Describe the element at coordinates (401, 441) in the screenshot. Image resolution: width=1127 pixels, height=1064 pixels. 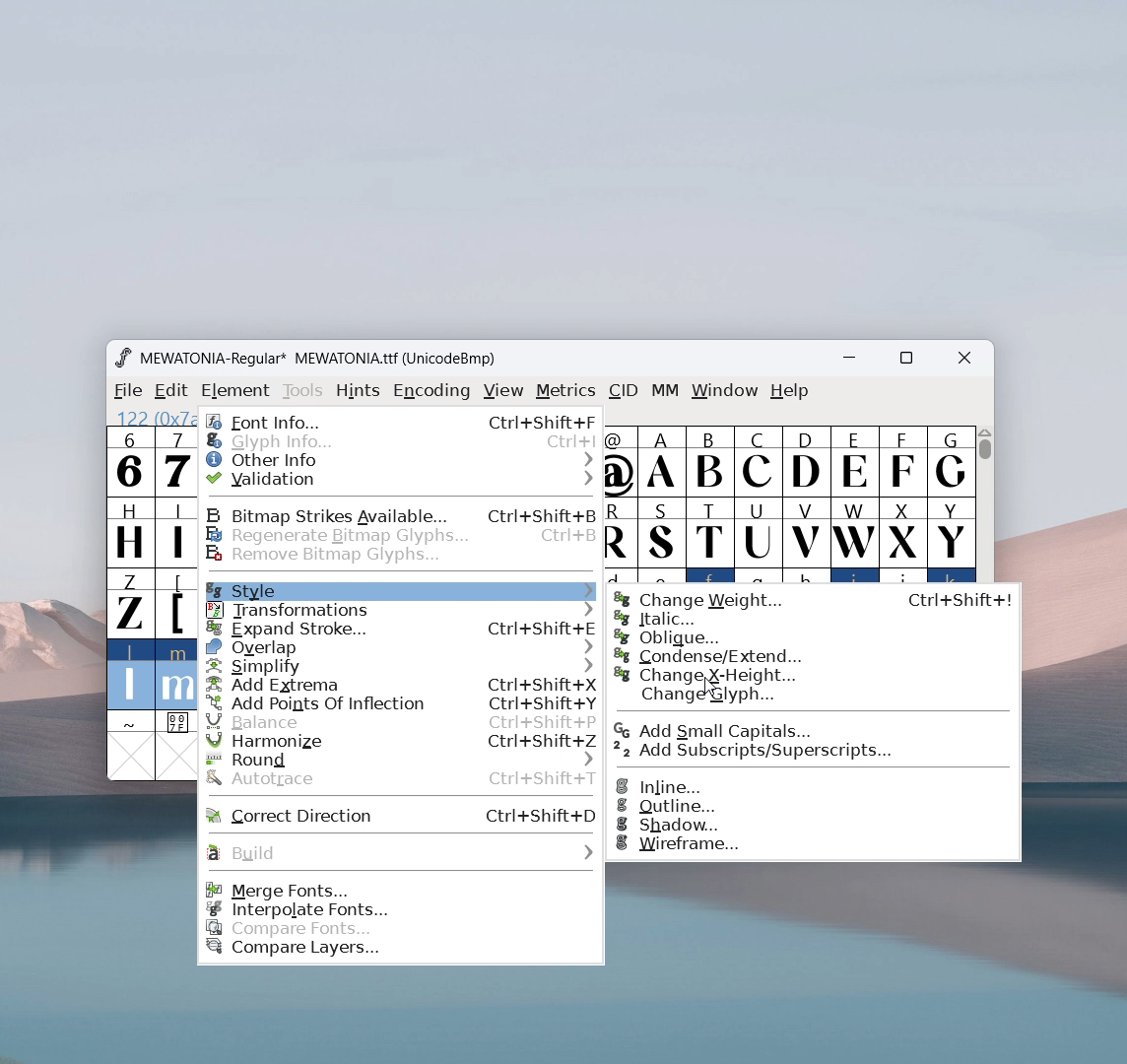
I see `glyph info` at that location.